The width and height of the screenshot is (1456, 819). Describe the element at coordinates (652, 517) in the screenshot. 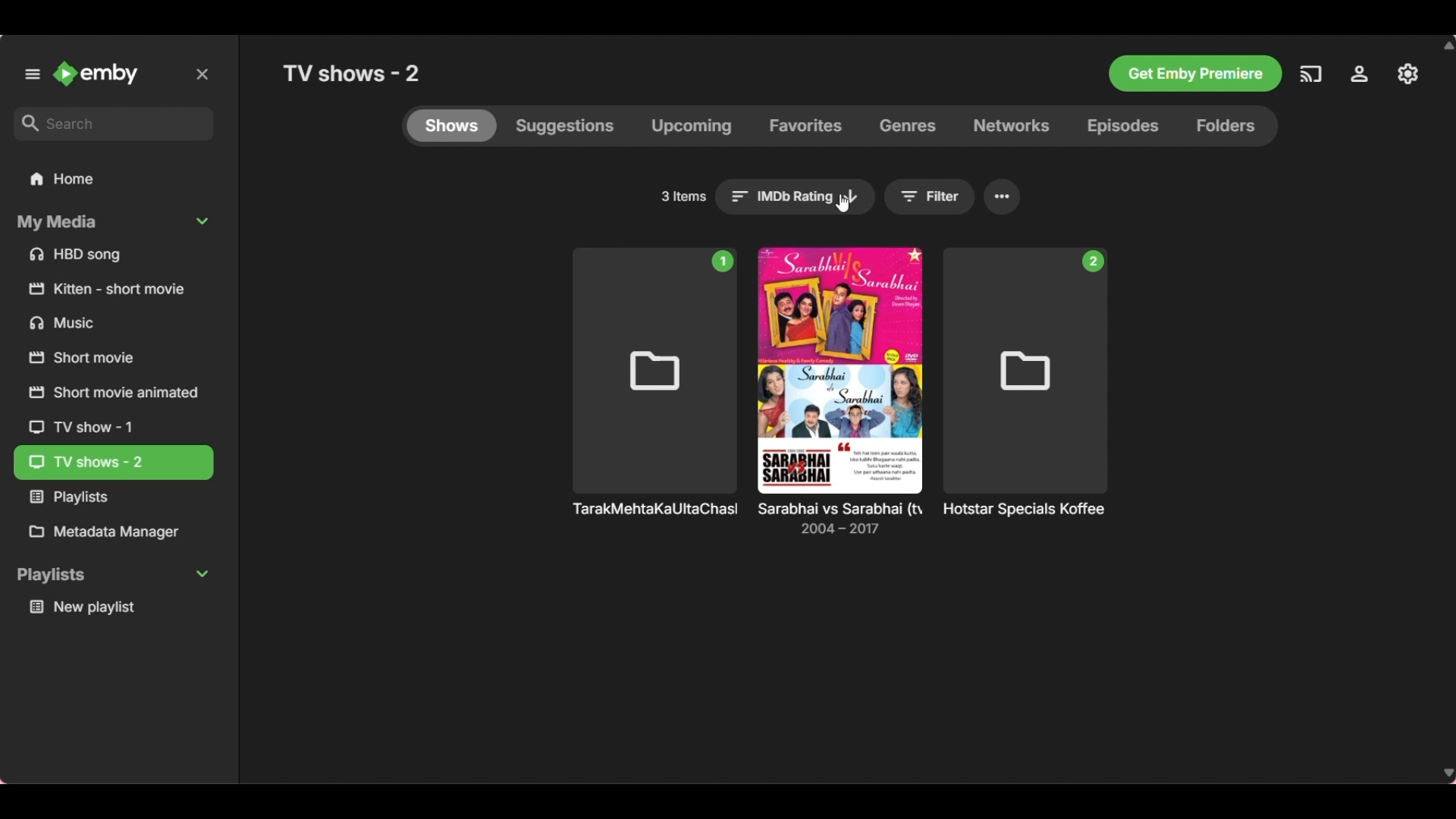

I see `TV shows sorted according to IMDb rating in ascending order` at that location.